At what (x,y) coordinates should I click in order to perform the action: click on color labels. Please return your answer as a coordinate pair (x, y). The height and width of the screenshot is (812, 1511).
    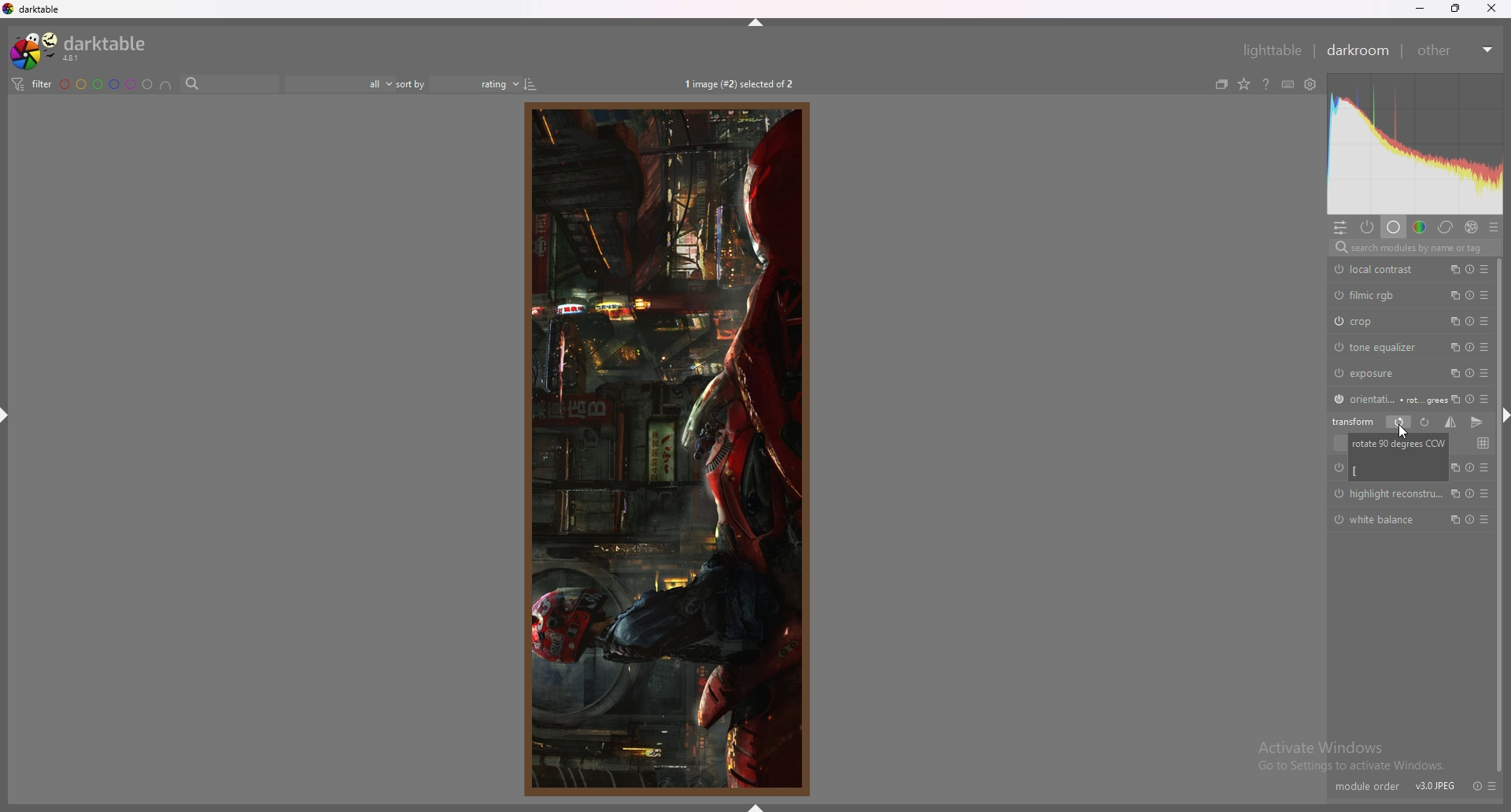
    Looking at the image, I should click on (105, 84).